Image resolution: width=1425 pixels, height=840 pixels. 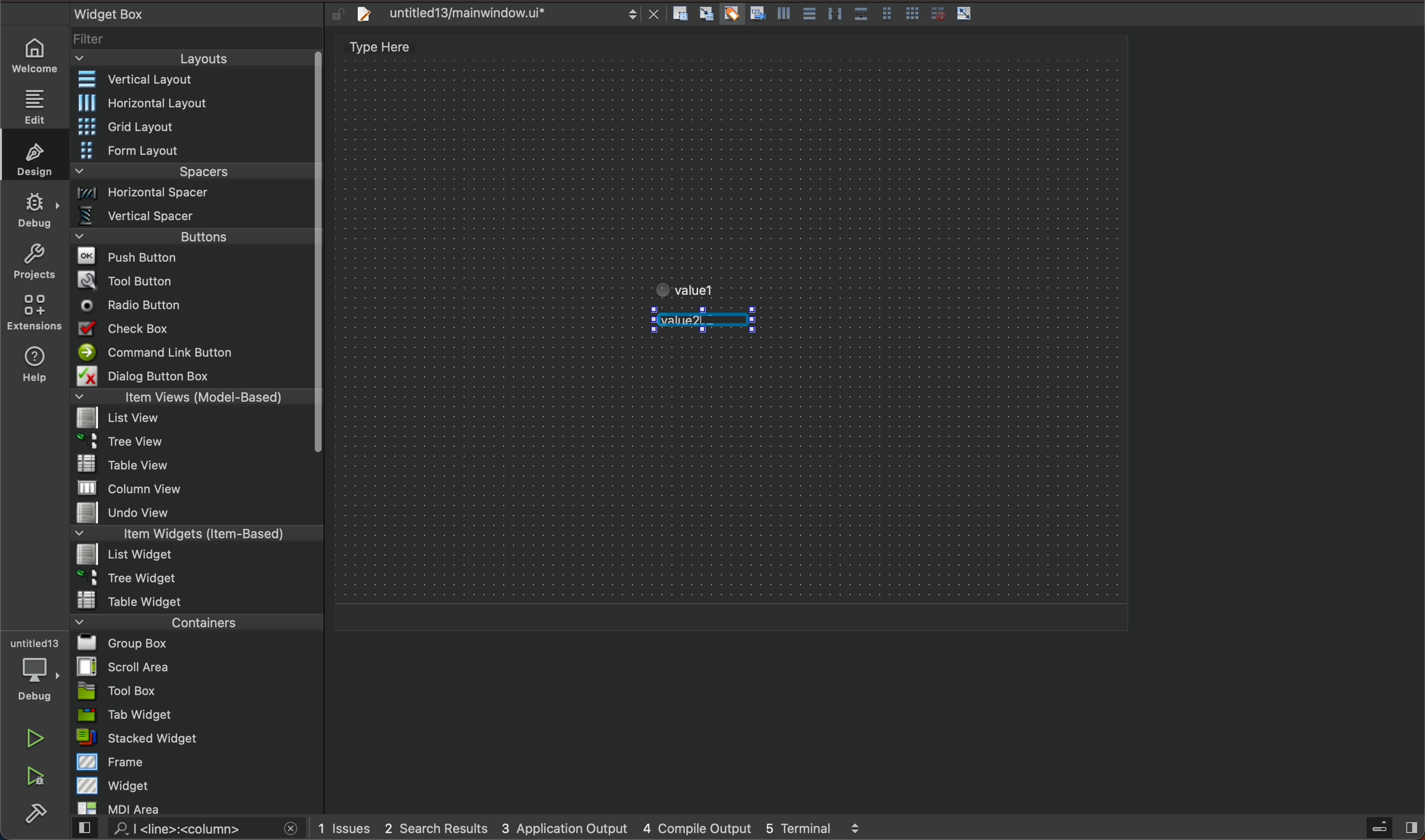 I want to click on projects, so click(x=34, y=264).